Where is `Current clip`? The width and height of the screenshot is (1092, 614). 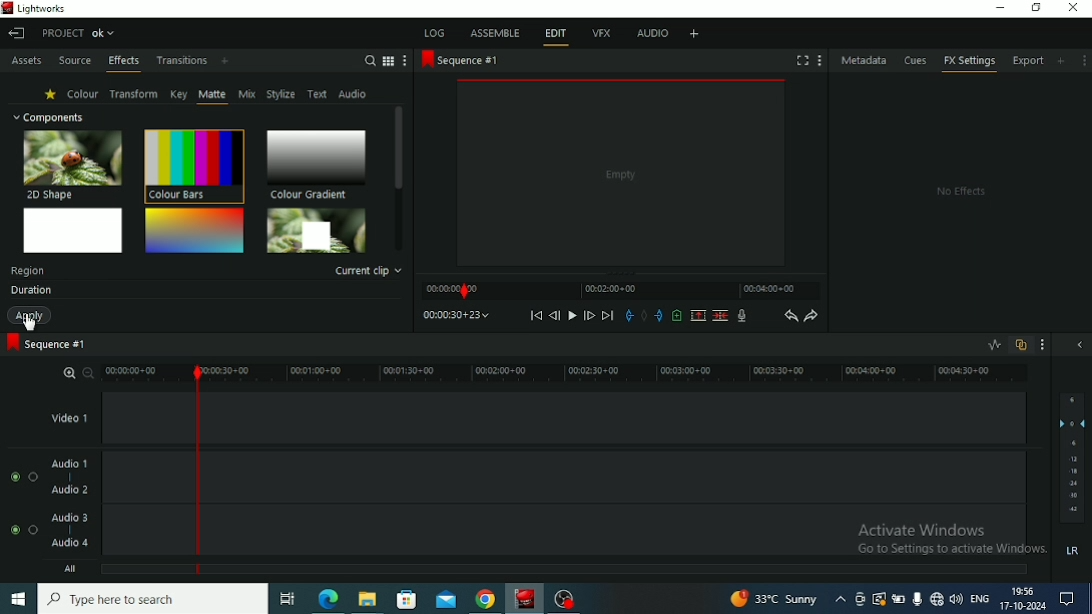
Current clip is located at coordinates (369, 271).